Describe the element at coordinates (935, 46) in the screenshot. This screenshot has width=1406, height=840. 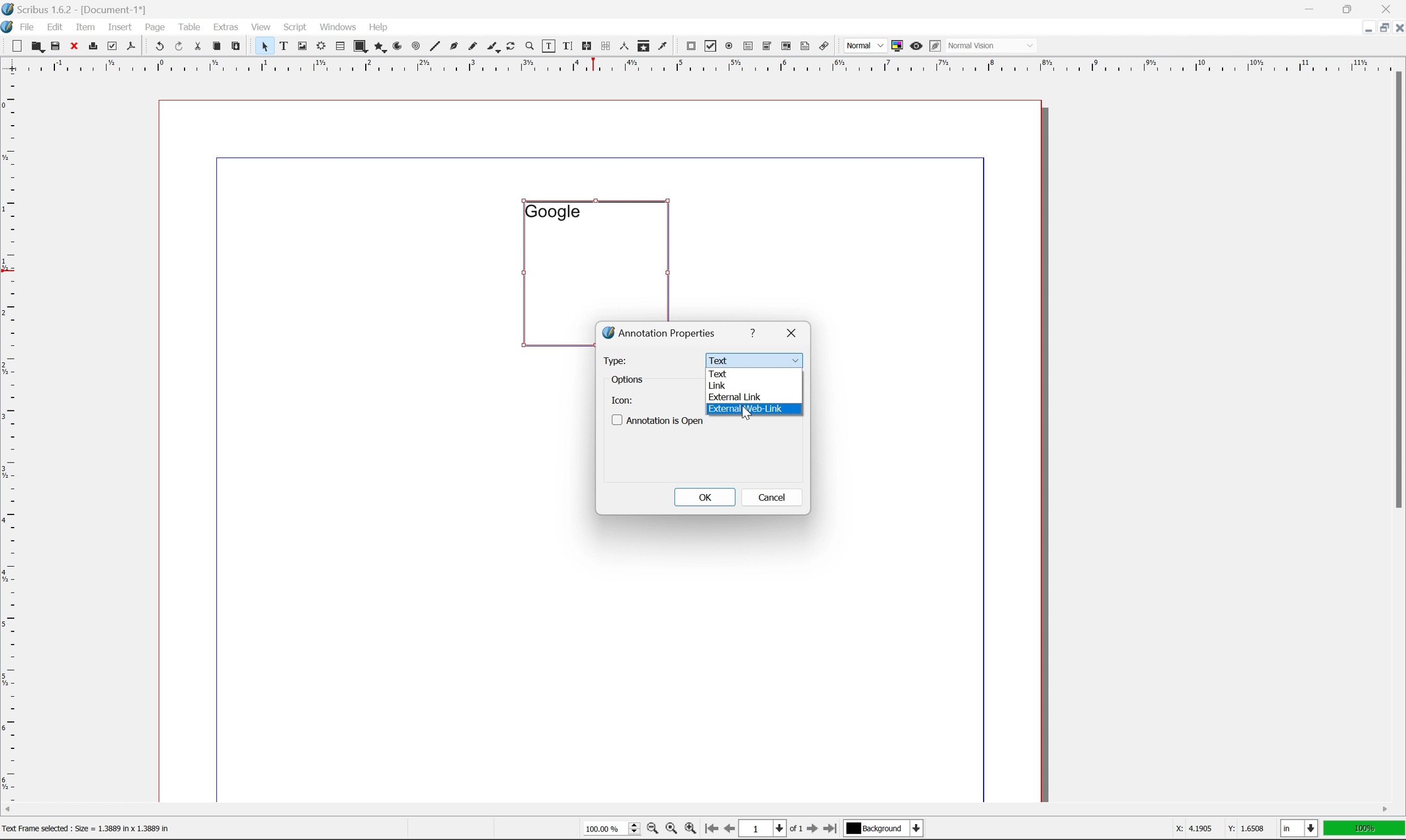
I see `edit in preview mode` at that location.